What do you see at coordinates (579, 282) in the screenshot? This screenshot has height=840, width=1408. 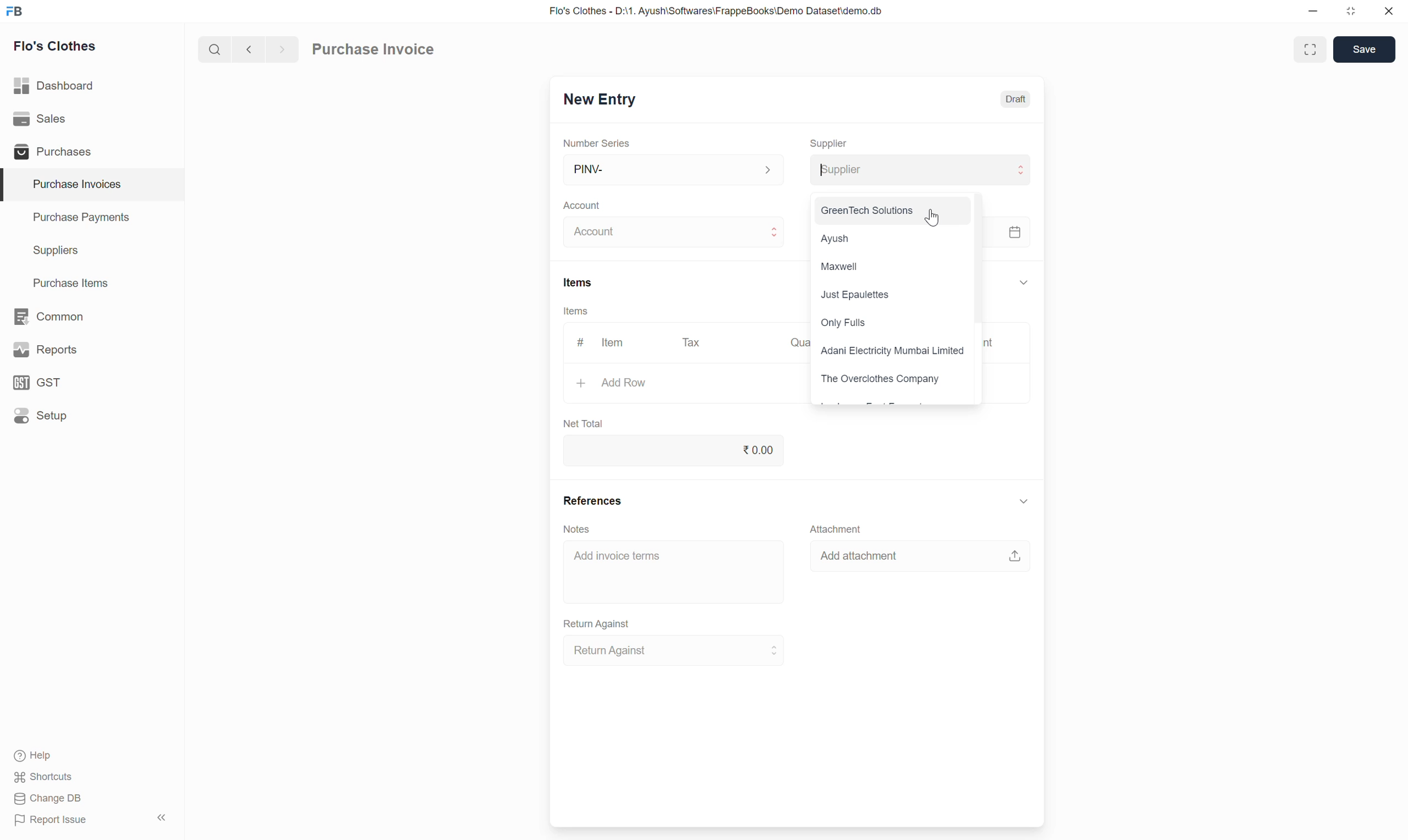 I see `Items` at bounding box center [579, 282].